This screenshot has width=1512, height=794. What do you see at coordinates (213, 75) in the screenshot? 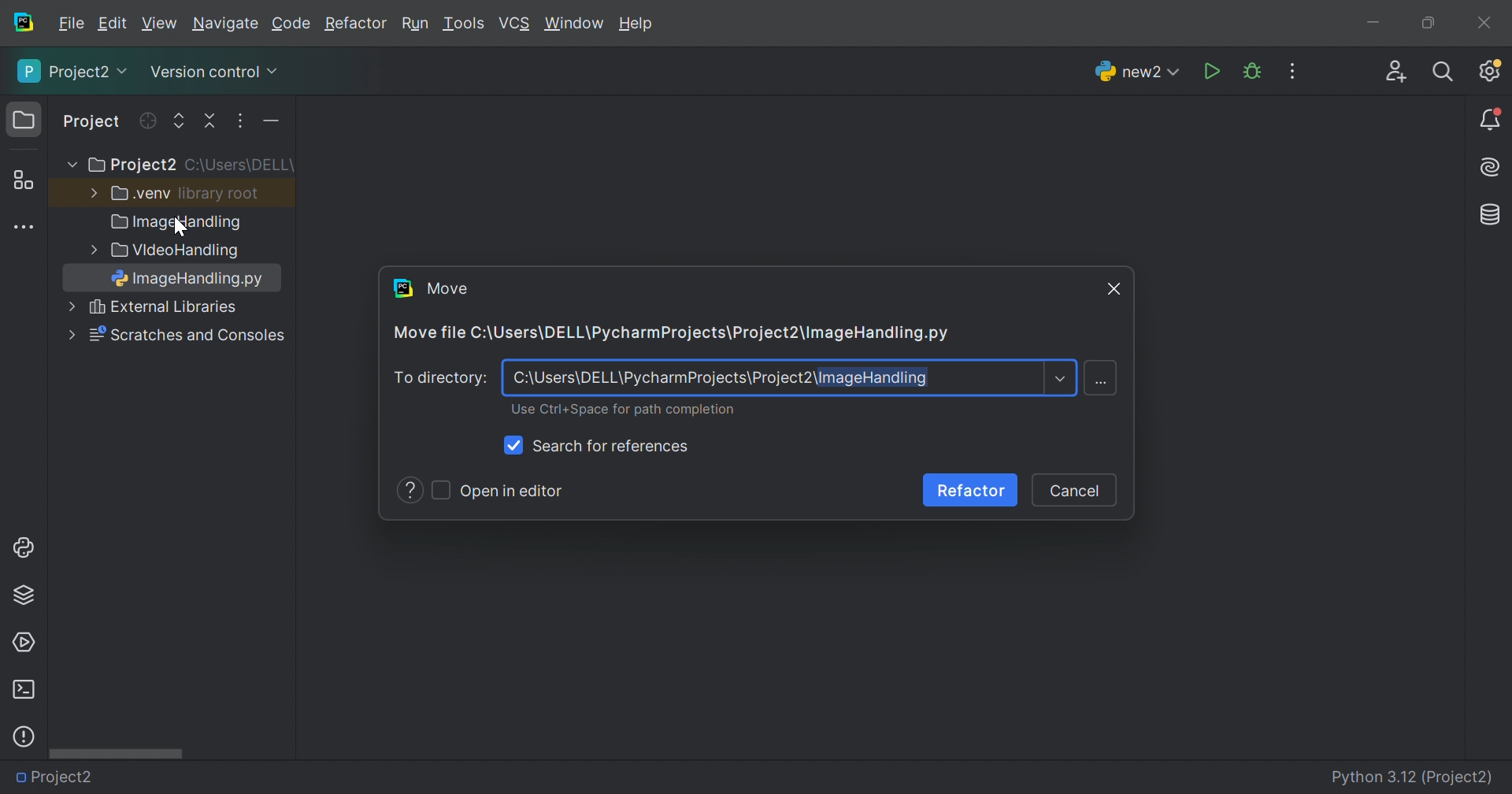
I see `Version control` at bounding box center [213, 75].